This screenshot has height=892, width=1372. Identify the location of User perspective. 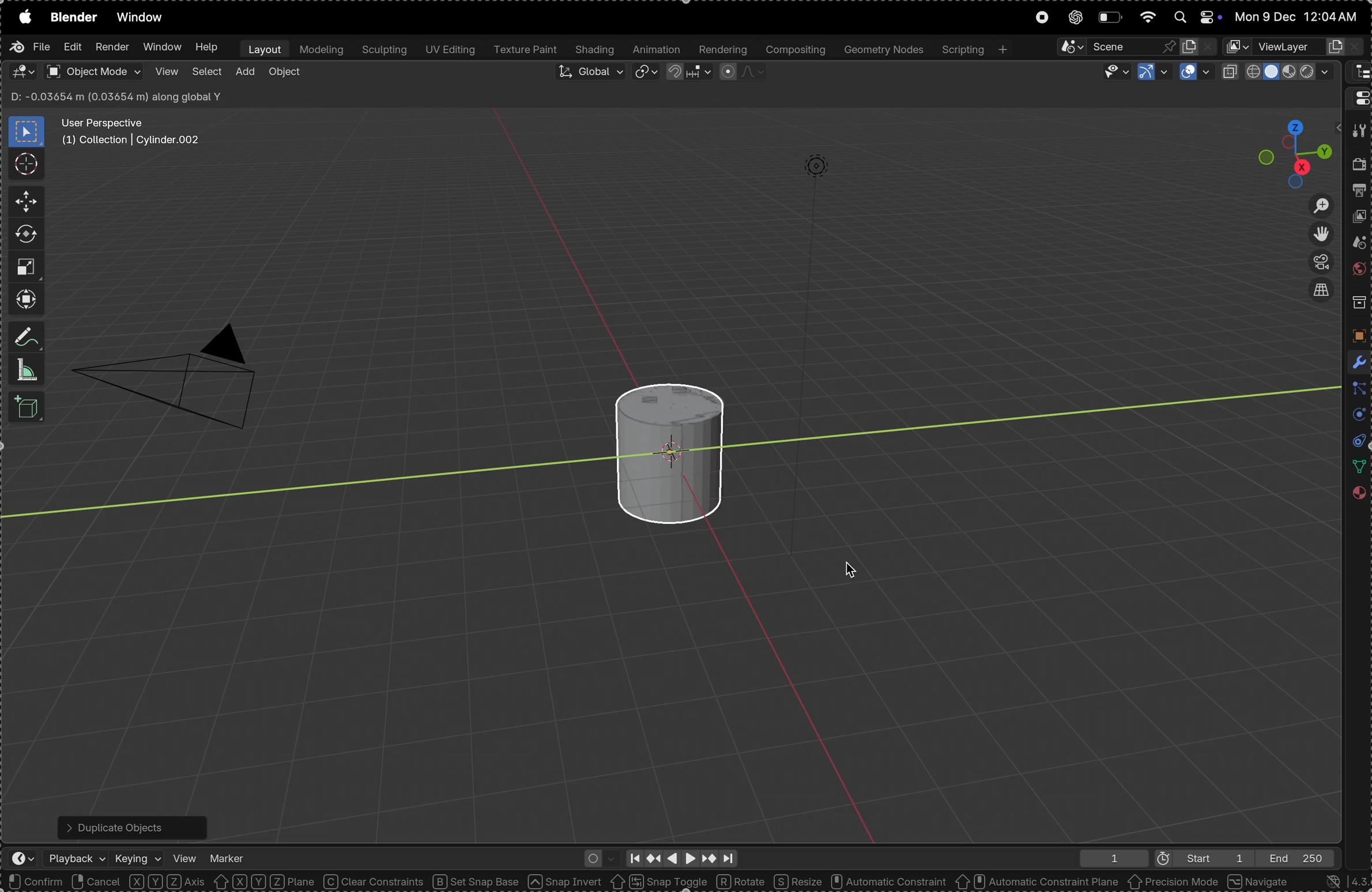
(133, 132).